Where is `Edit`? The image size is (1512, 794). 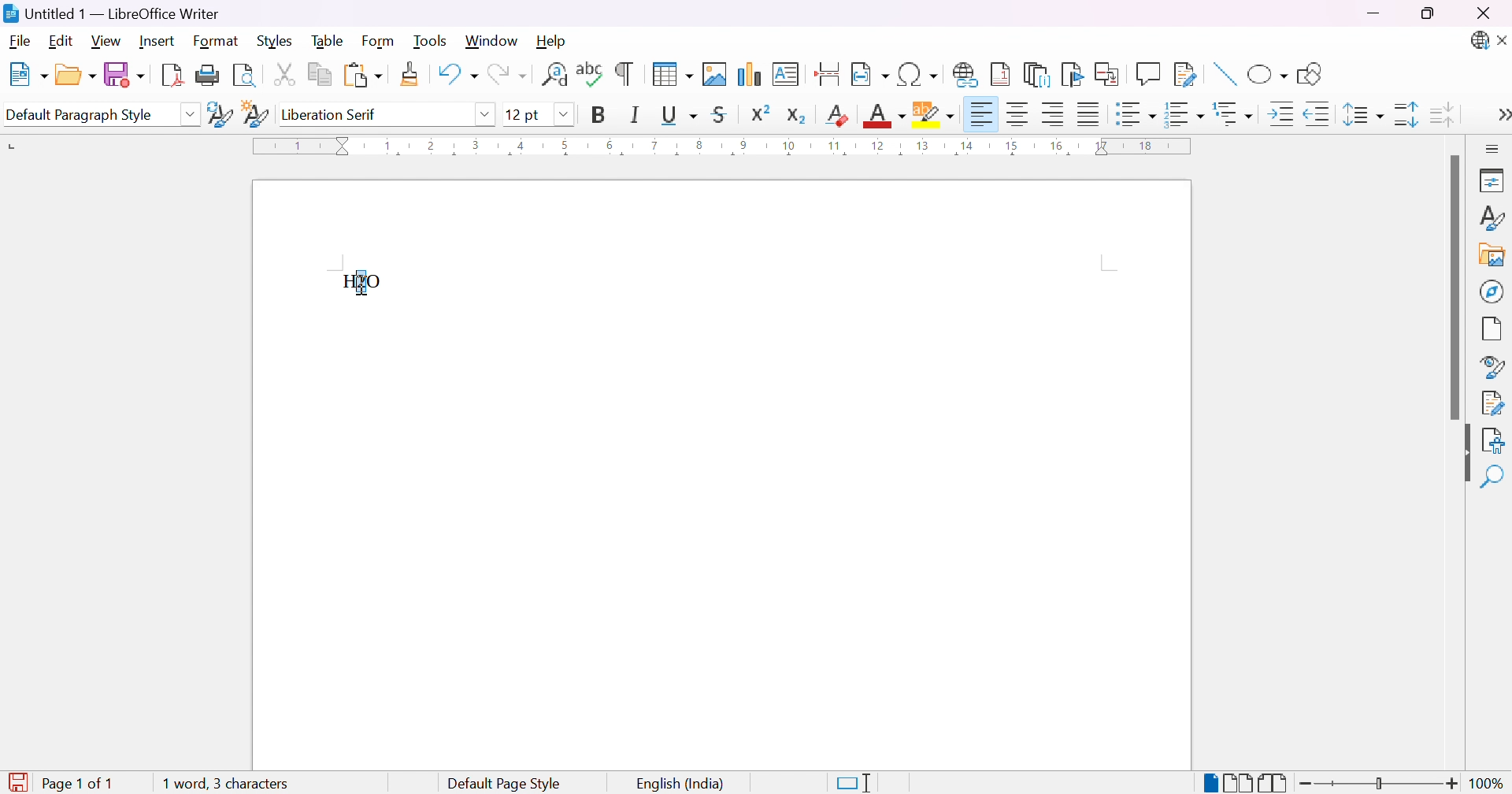
Edit is located at coordinates (64, 42).